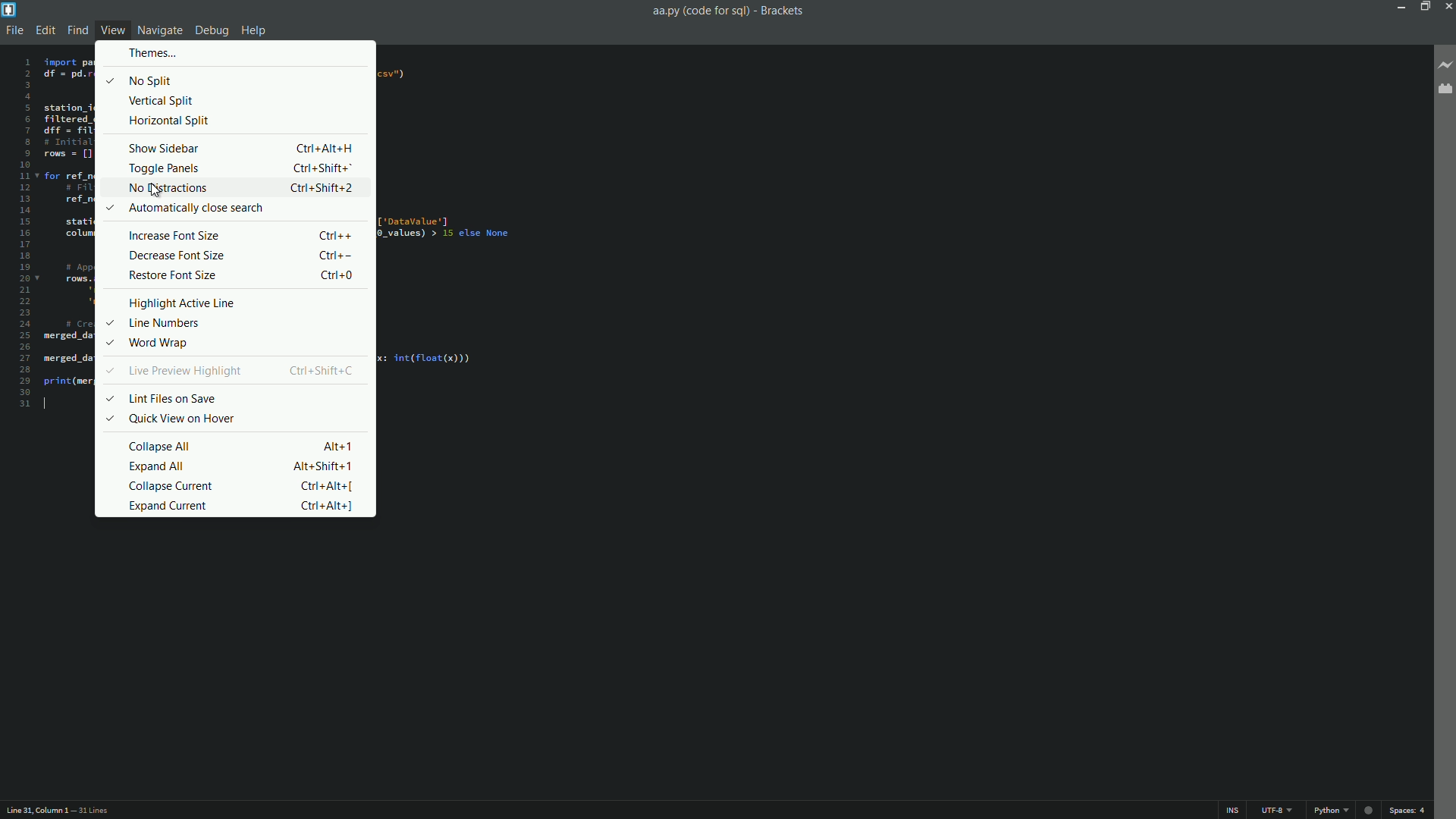 This screenshot has width=1456, height=819. Describe the element at coordinates (155, 190) in the screenshot. I see `Cursor` at that location.